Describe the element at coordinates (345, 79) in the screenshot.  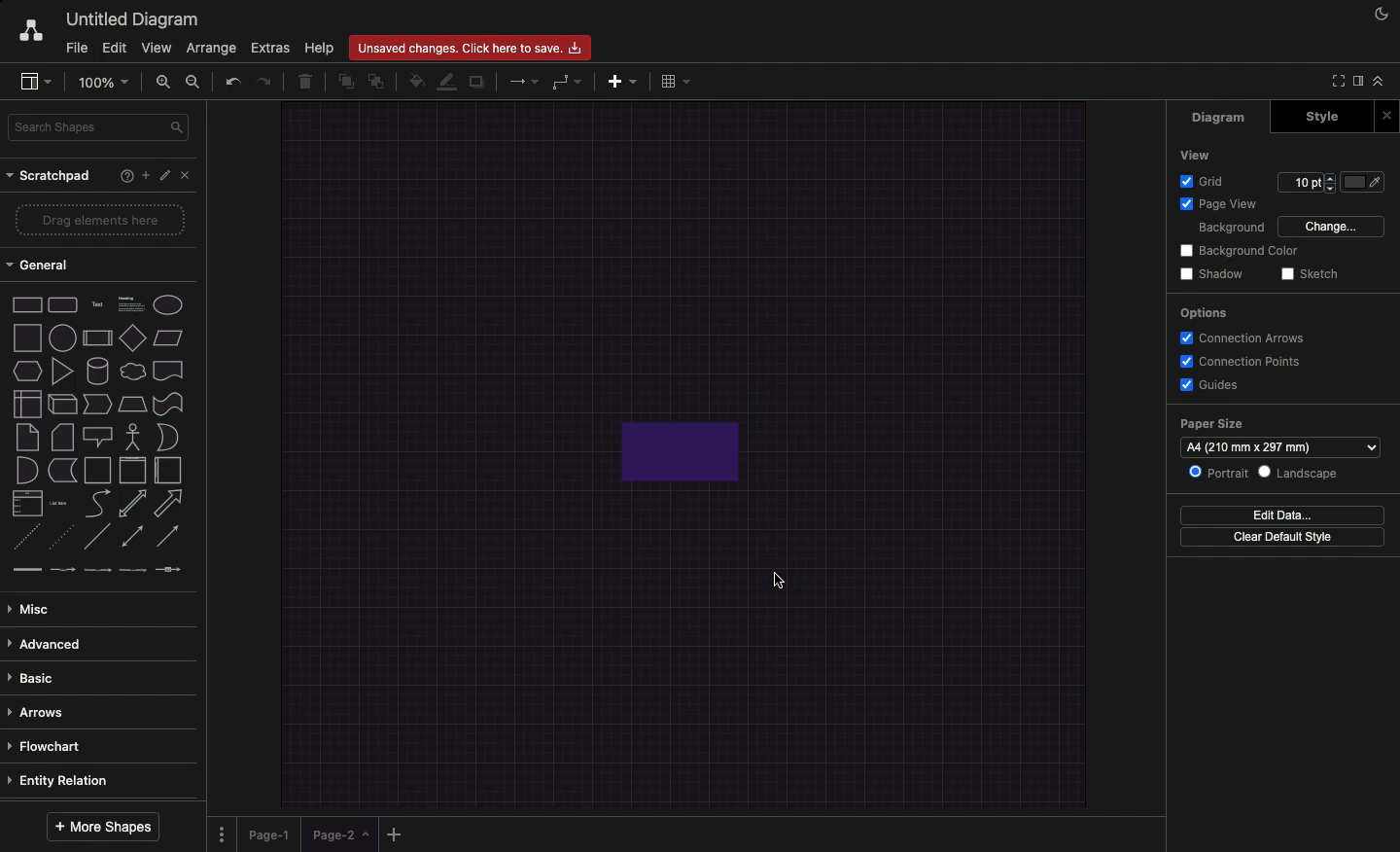
I see `To front ` at that location.